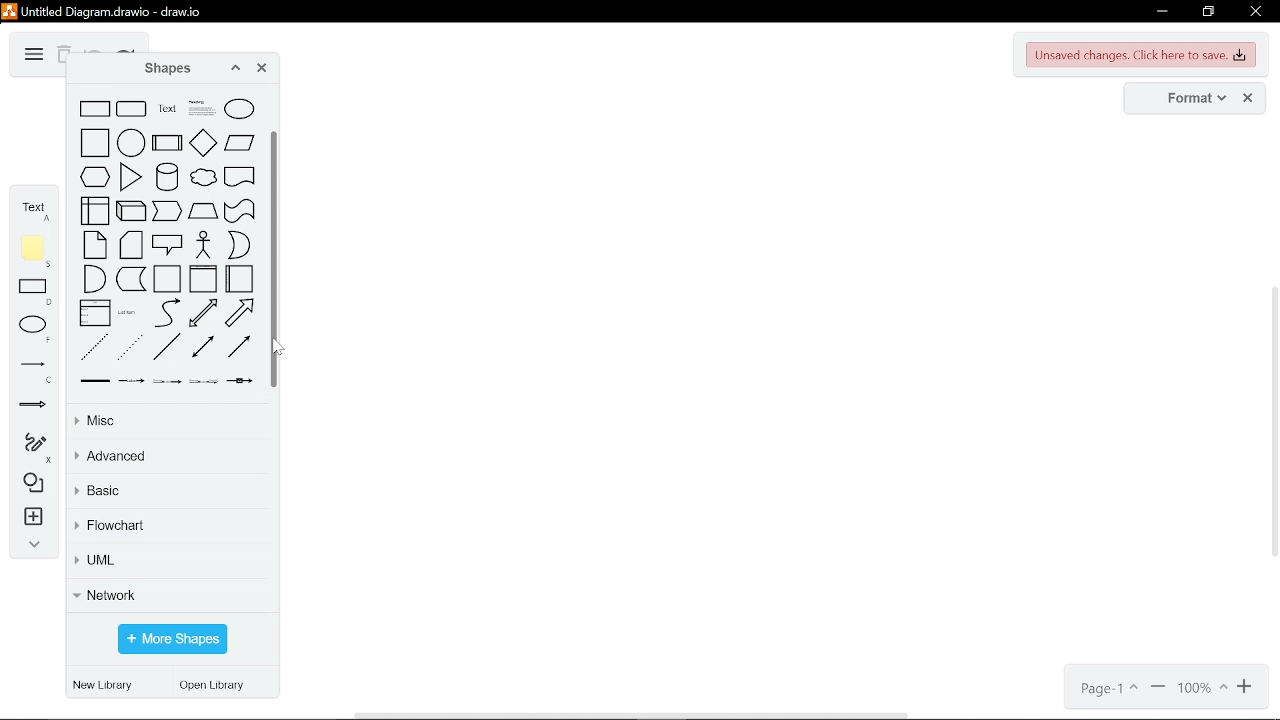  What do you see at coordinates (63, 56) in the screenshot?
I see `delete` at bounding box center [63, 56].